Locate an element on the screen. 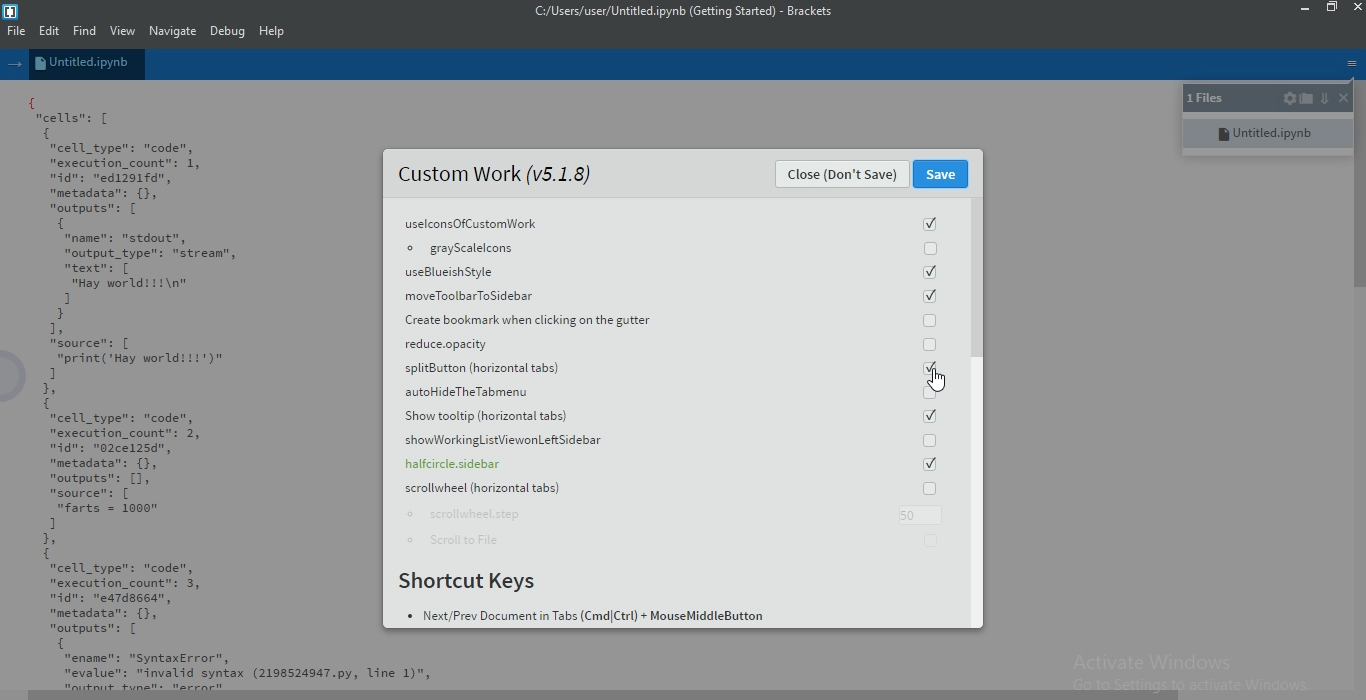 Image resolution: width=1366 pixels, height=700 pixels. scroll bar is located at coordinates (605, 695).